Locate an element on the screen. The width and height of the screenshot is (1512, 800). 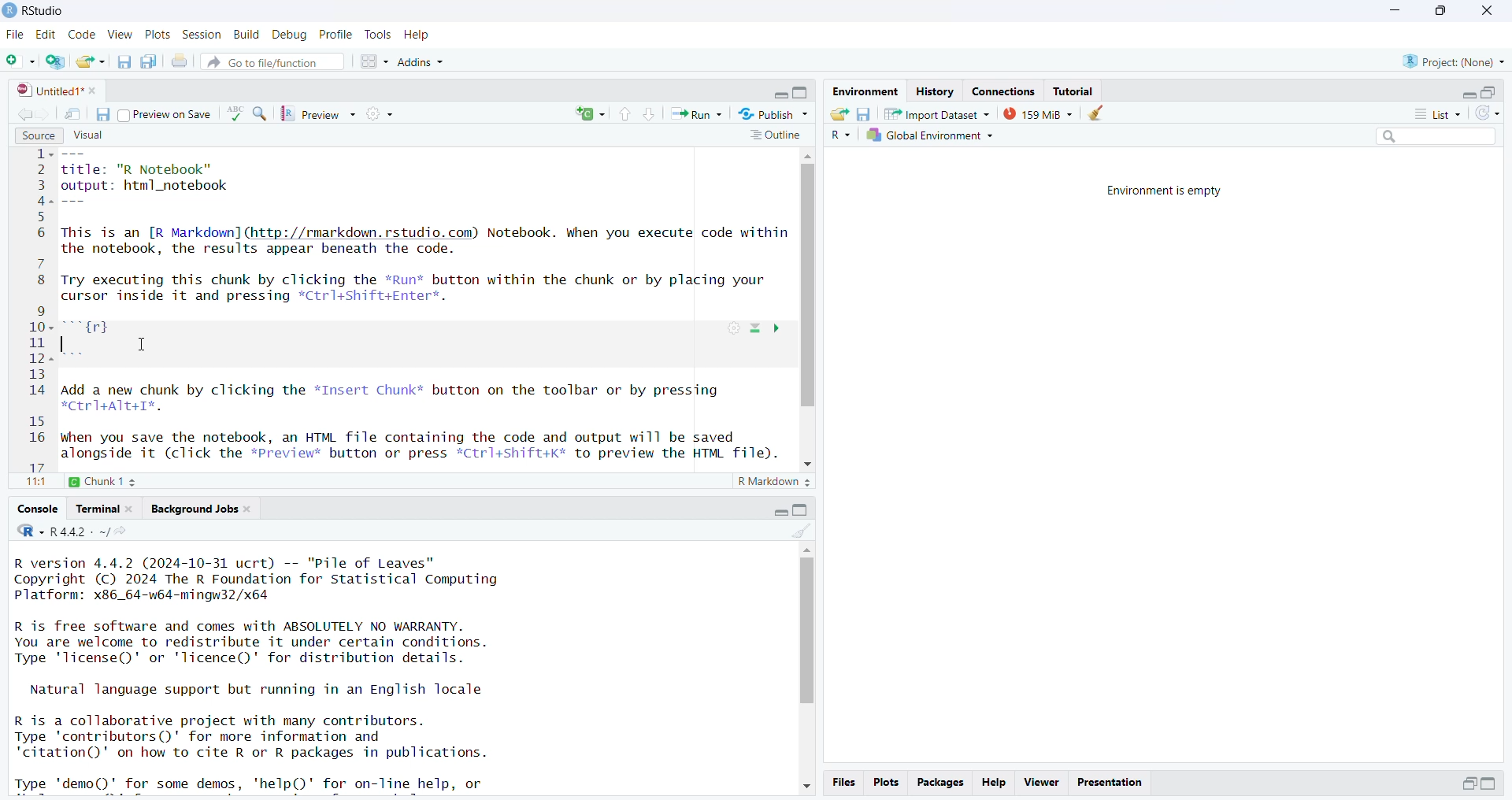
console is located at coordinates (39, 509).